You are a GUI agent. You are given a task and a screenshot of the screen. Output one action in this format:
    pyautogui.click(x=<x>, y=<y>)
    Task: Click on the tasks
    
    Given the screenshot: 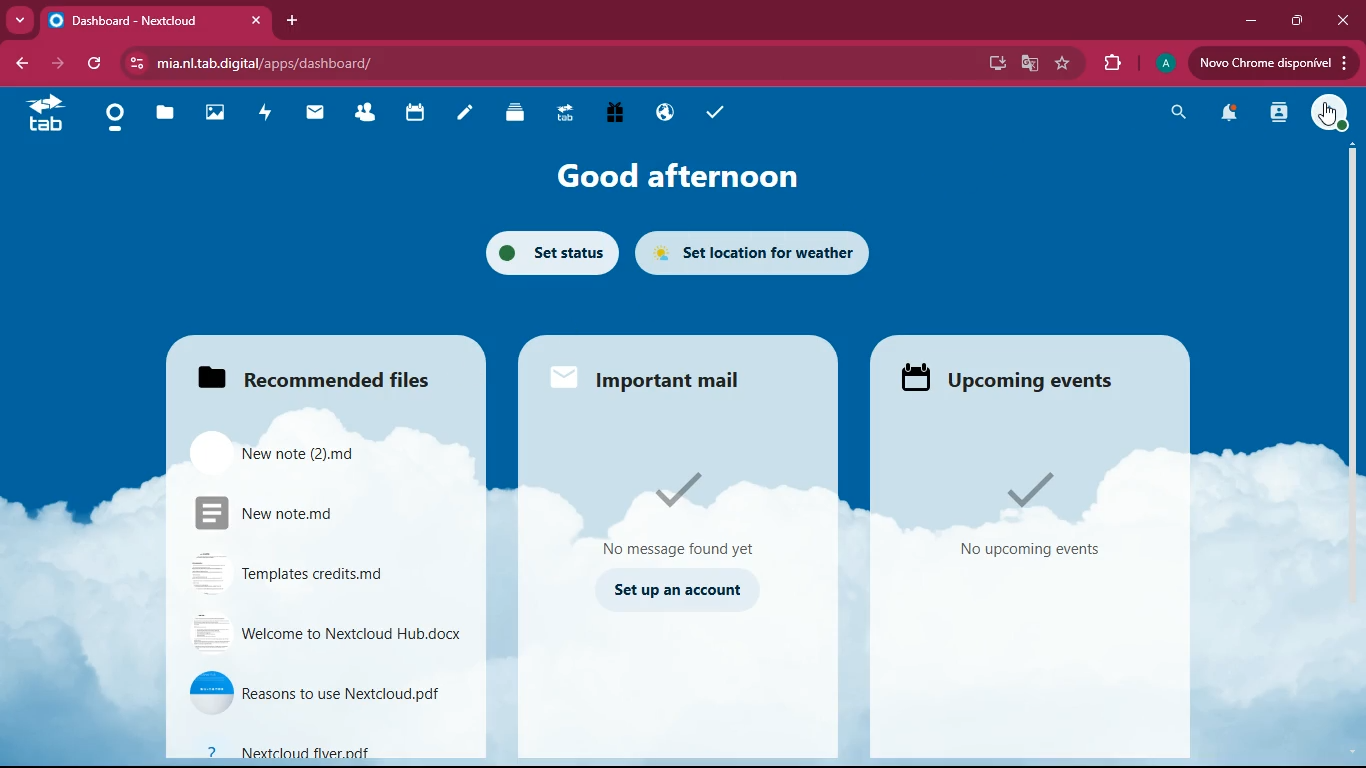 What is the action you would take?
    pyautogui.click(x=709, y=113)
    